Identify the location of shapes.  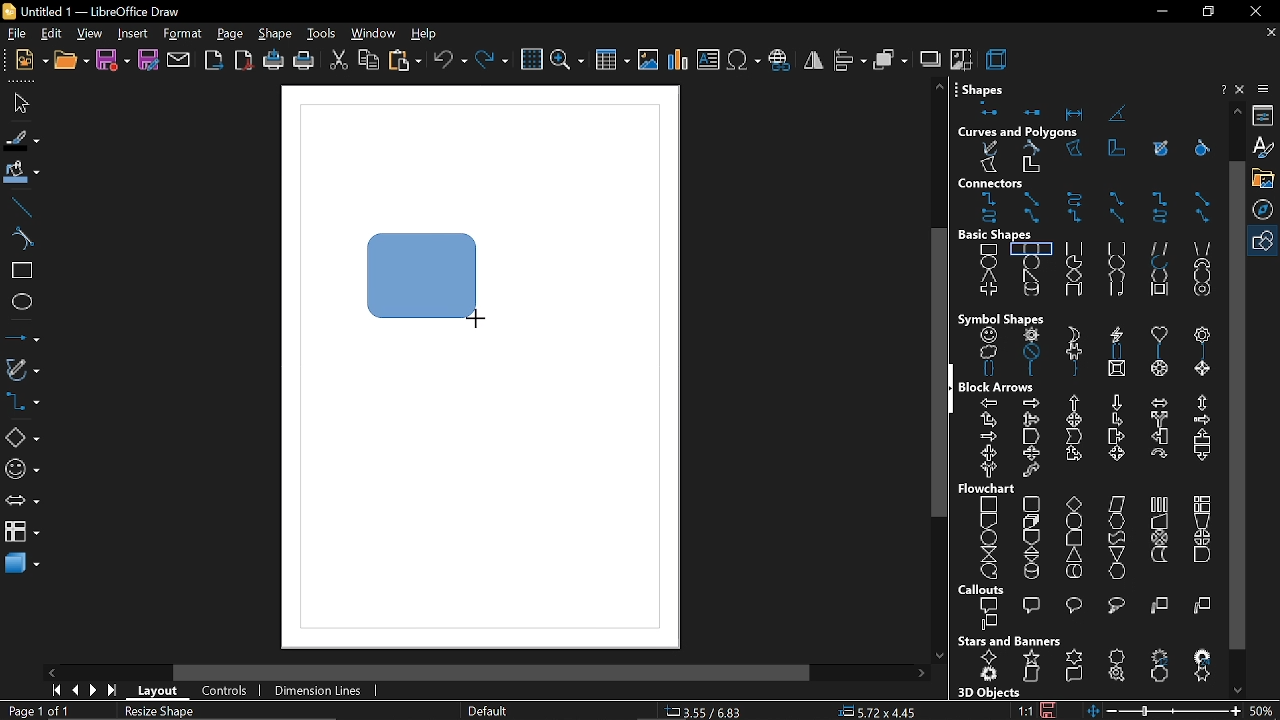
(1081, 110).